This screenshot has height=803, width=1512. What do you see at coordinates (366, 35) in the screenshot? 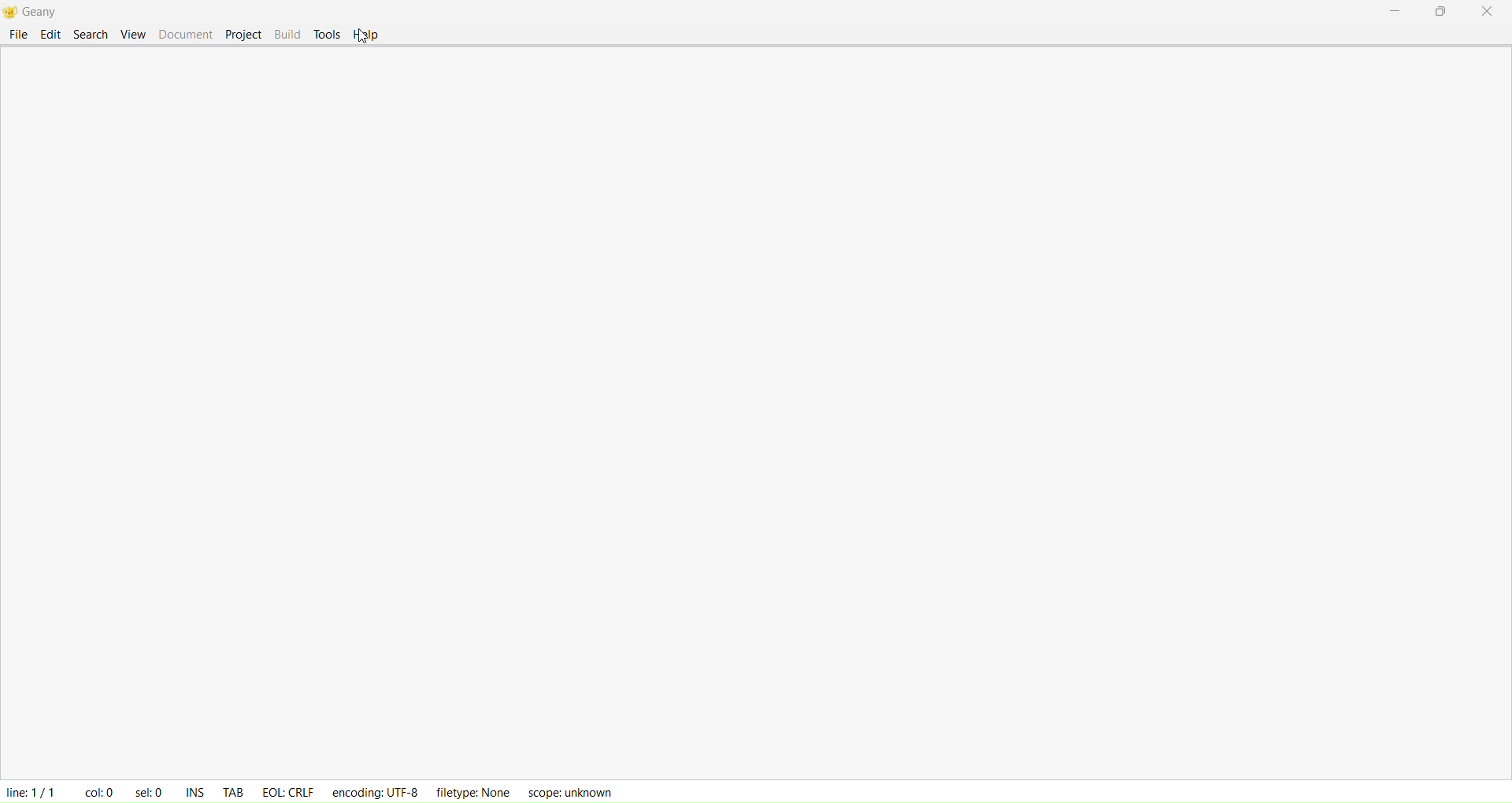
I see `help` at bounding box center [366, 35].